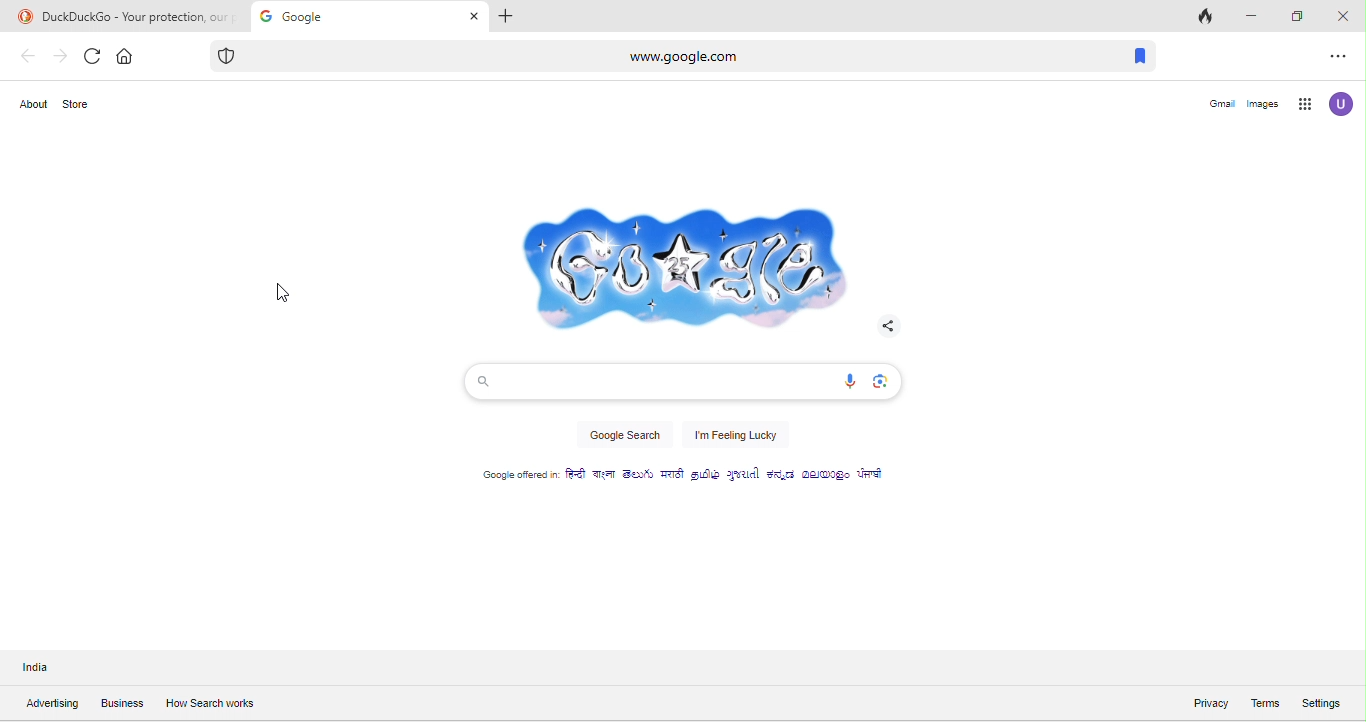 Image resolution: width=1366 pixels, height=722 pixels. What do you see at coordinates (1330, 701) in the screenshot?
I see `settings` at bounding box center [1330, 701].